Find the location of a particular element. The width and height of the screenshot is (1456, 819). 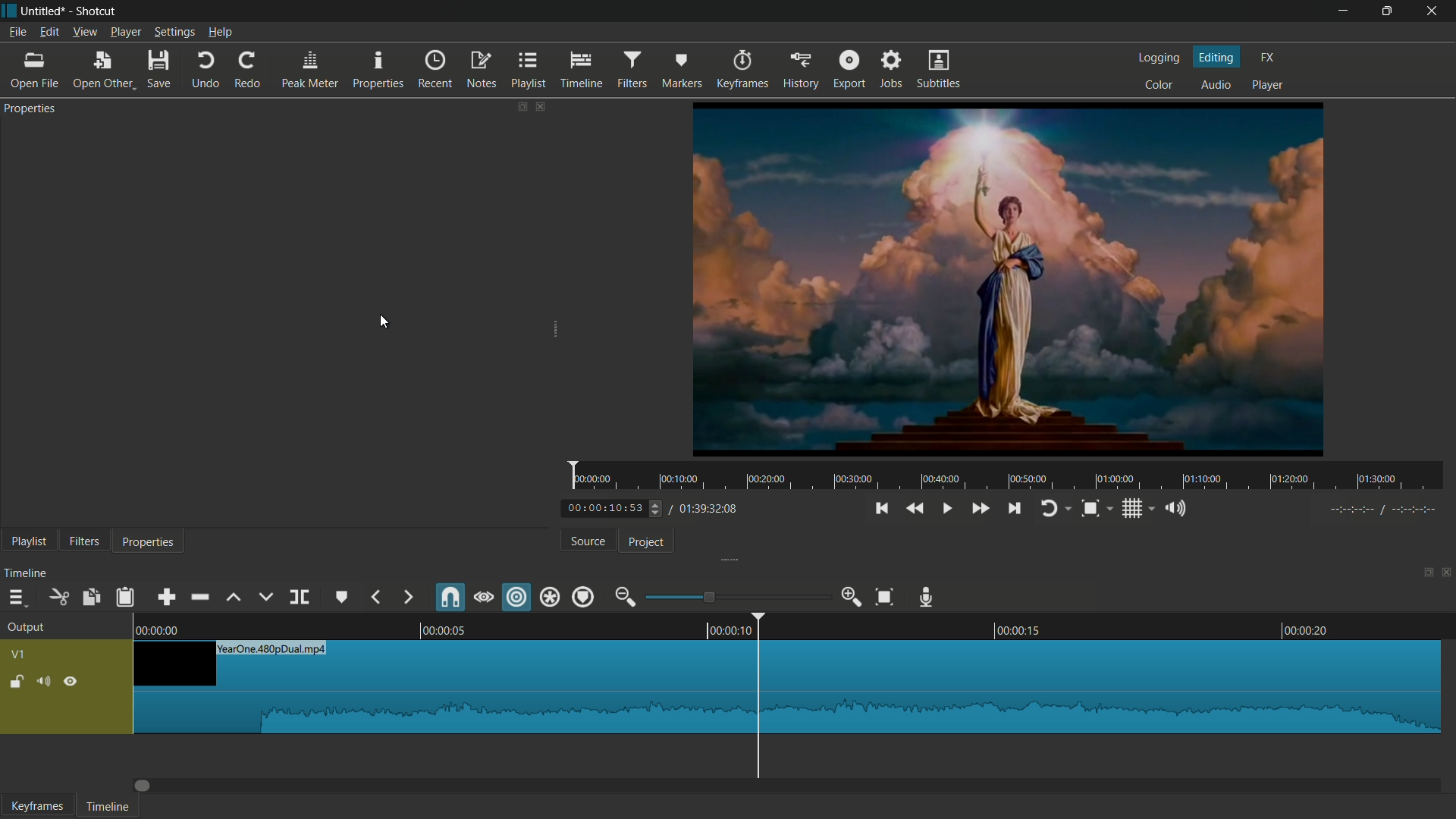

next marker is located at coordinates (406, 597).